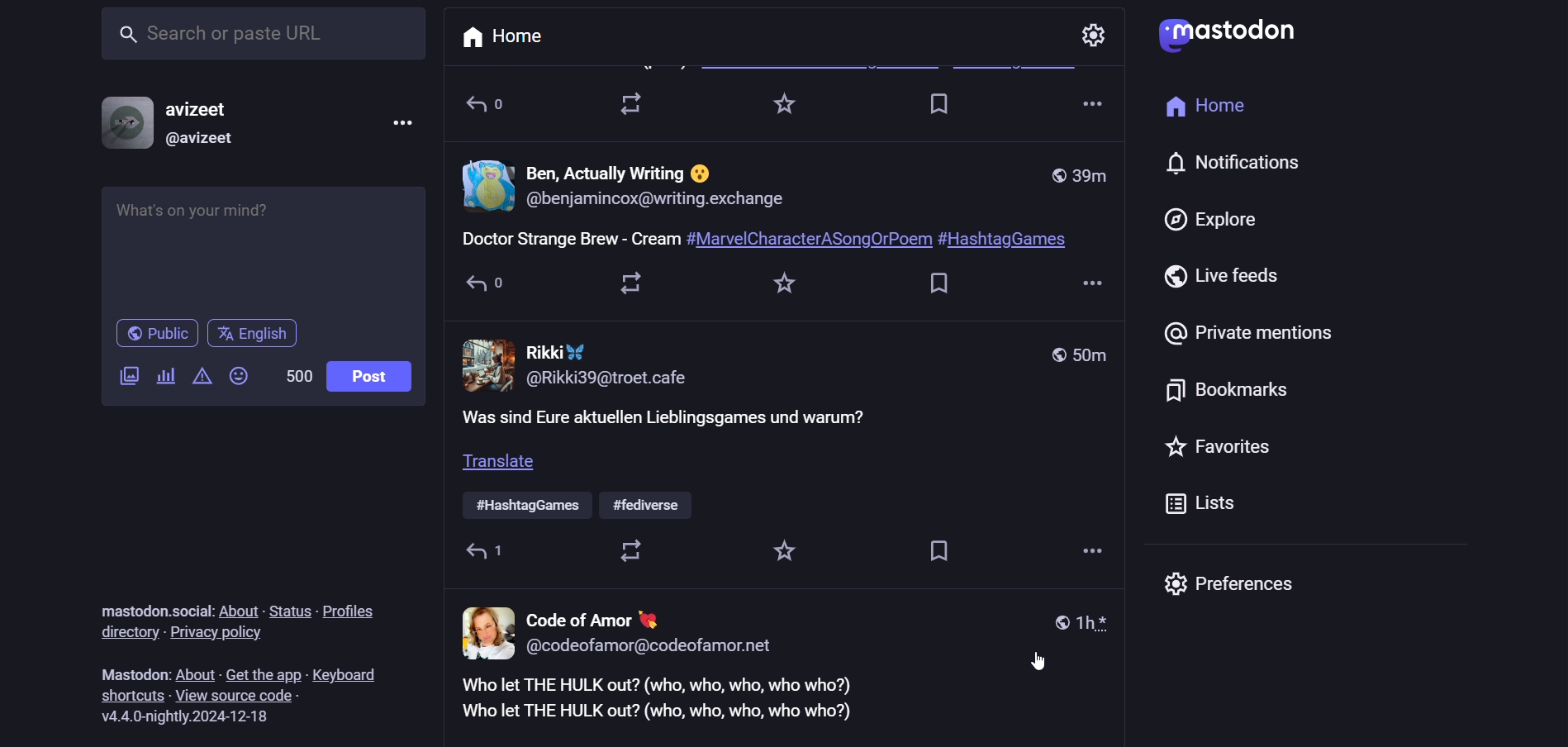 The width and height of the screenshot is (1568, 747). Describe the element at coordinates (1219, 448) in the screenshot. I see `favorites` at that location.